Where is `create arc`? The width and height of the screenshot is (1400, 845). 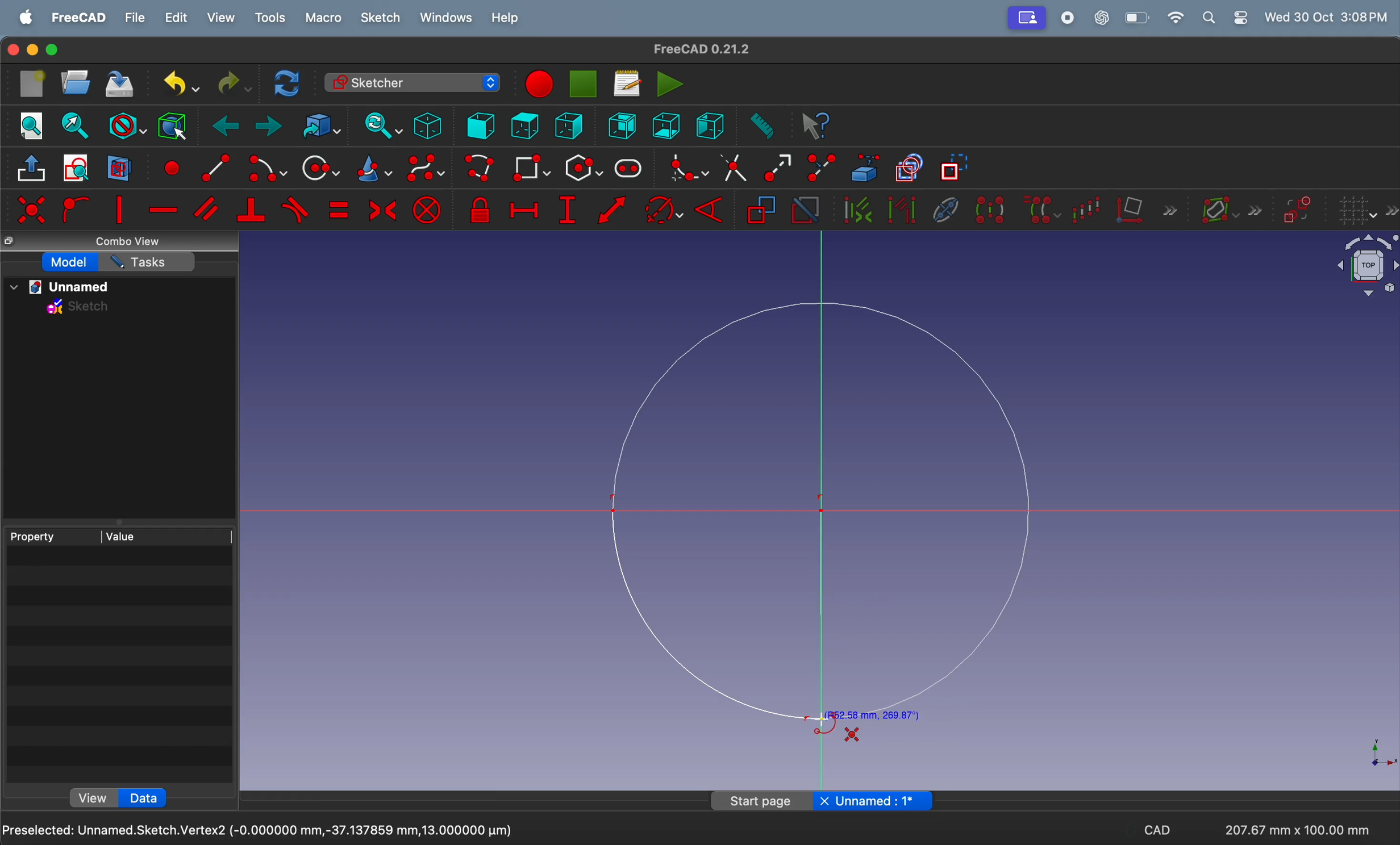 create arc is located at coordinates (211, 166).